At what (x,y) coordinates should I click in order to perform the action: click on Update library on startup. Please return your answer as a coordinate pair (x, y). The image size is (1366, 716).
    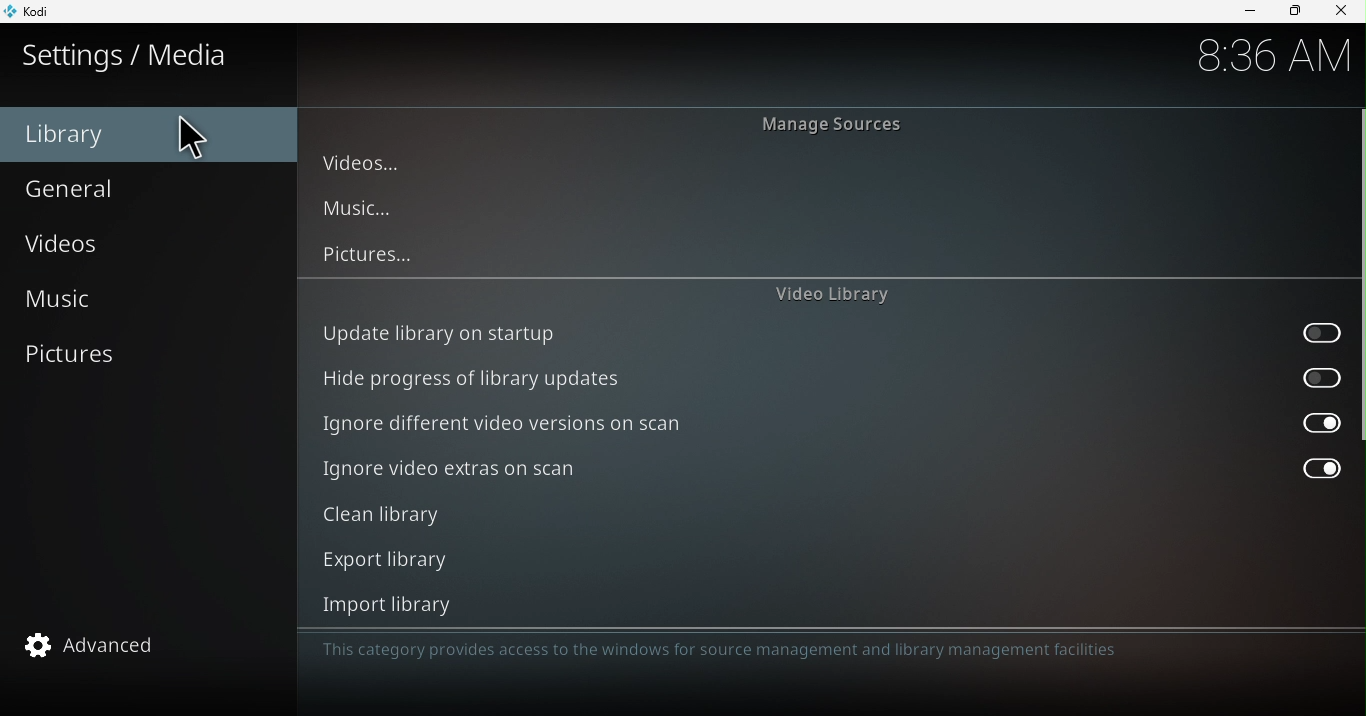
    Looking at the image, I should click on (830, 333).